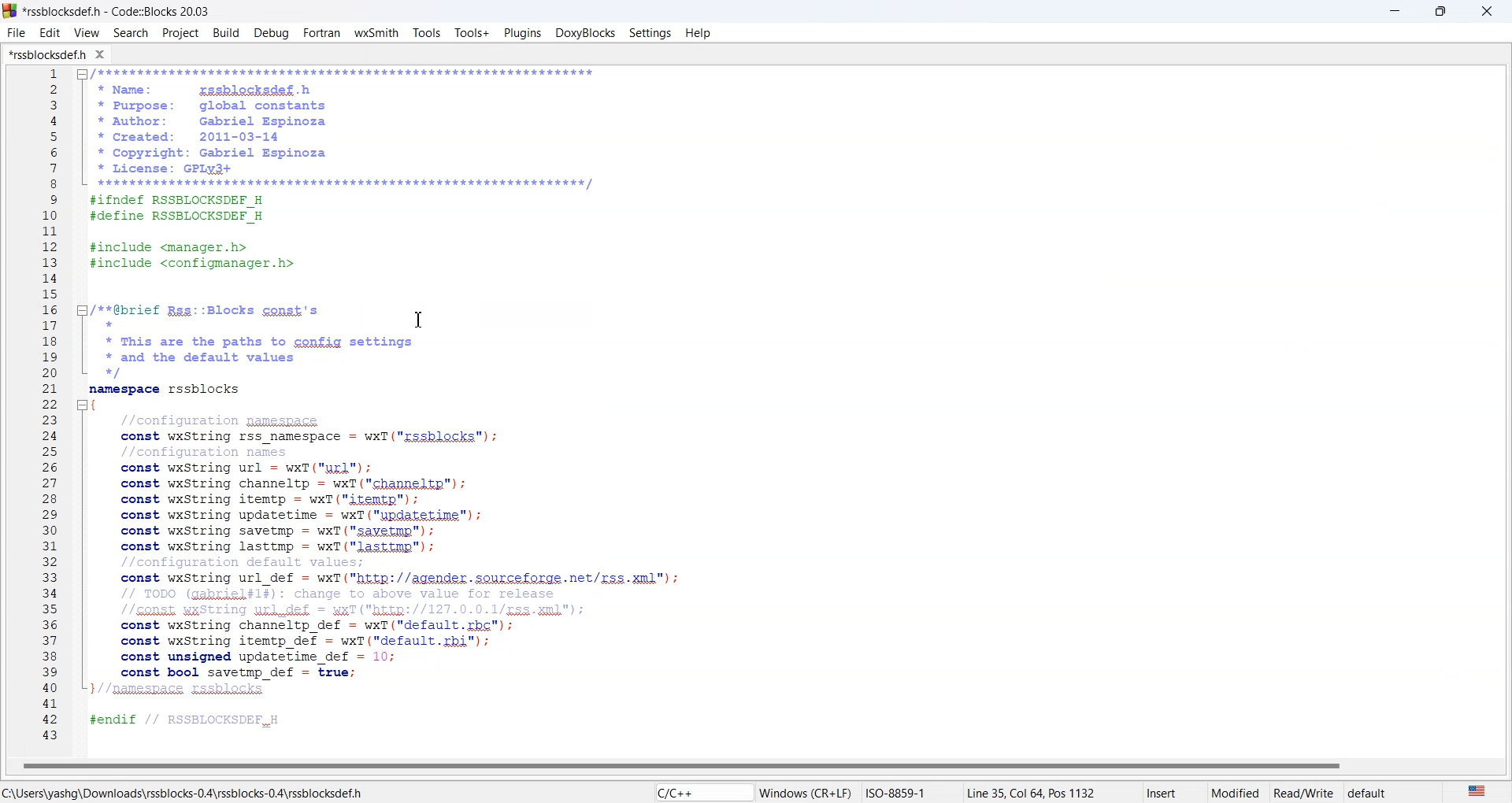  I want to click on minimise, so click(1395, 11).